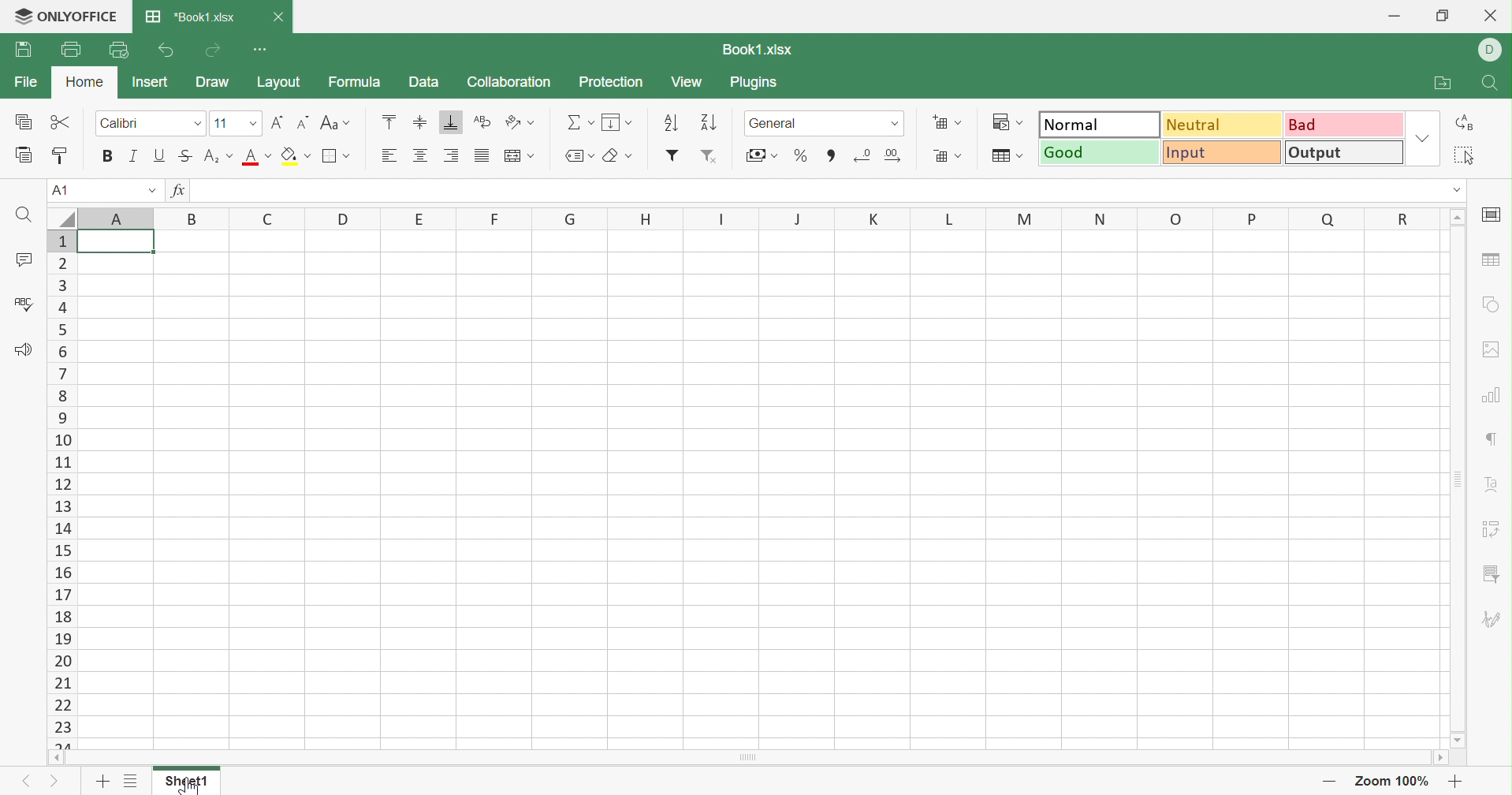 The width and height of the screenshot is (1512, 795). I want to click on Normal, so click(1099, 125).